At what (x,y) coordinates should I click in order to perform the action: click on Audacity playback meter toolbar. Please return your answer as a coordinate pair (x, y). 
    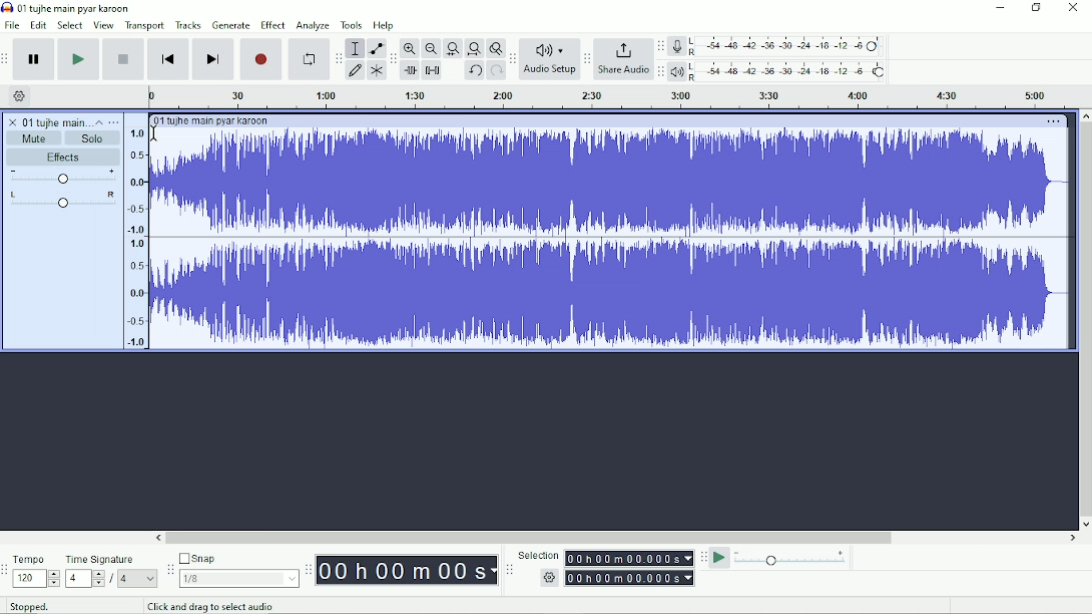
    Looking at the image, I should click on (660, 73).